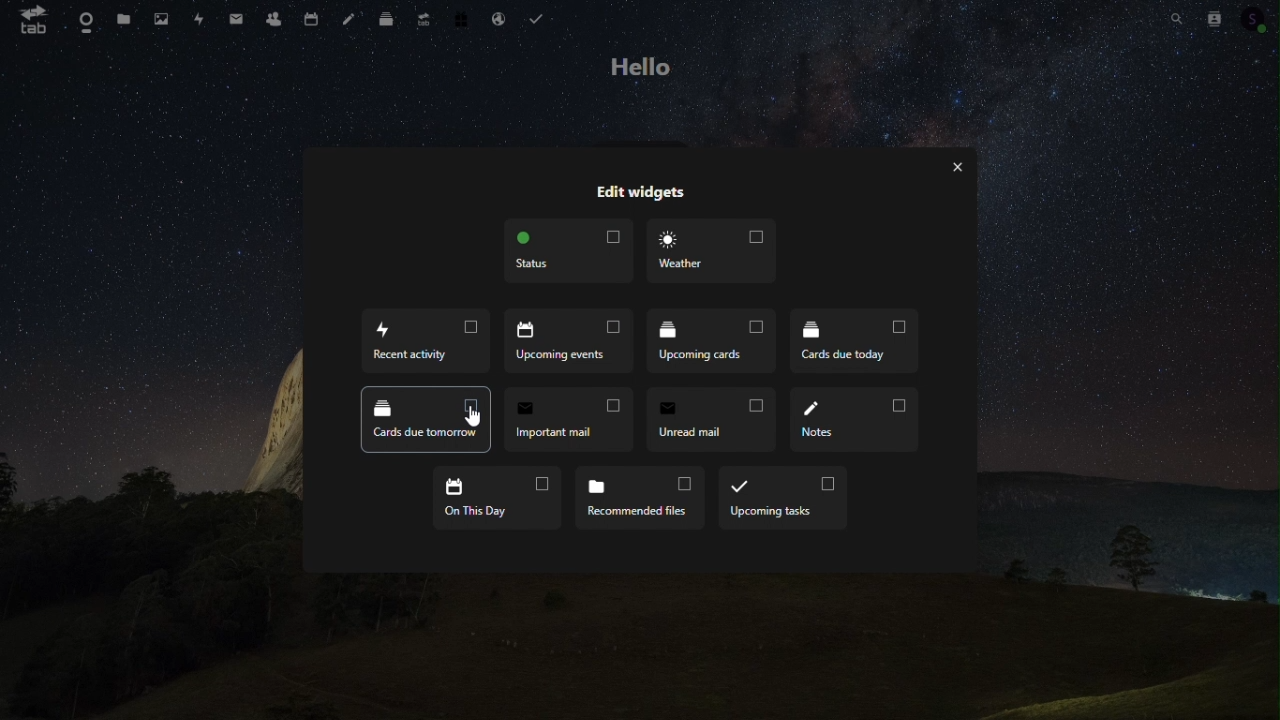  What do you see at coordinates (710, 253) in the screenshot?
I see `Weather` at bounding box center [710, 253].